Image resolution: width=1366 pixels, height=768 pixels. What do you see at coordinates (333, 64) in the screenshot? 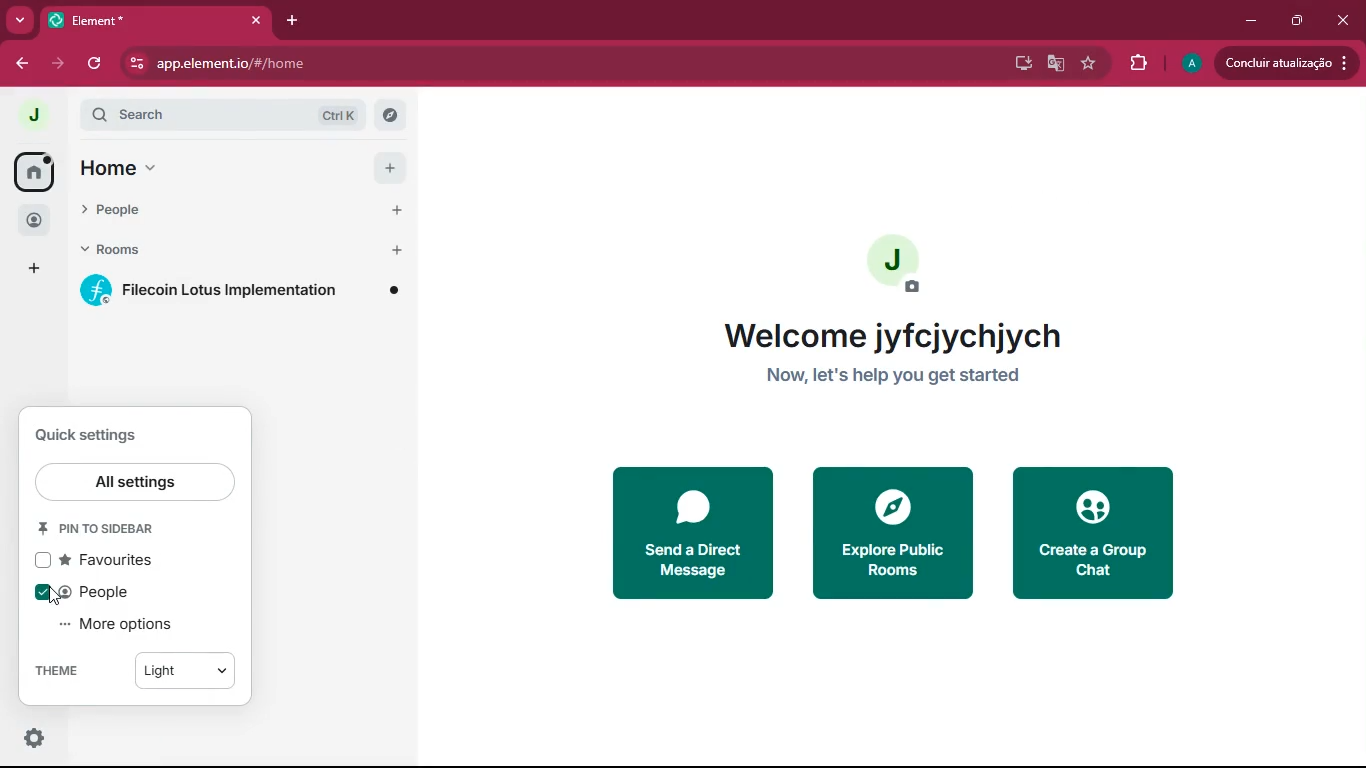
I see `app.elementio/#/home` at bounding box center [333, 64].